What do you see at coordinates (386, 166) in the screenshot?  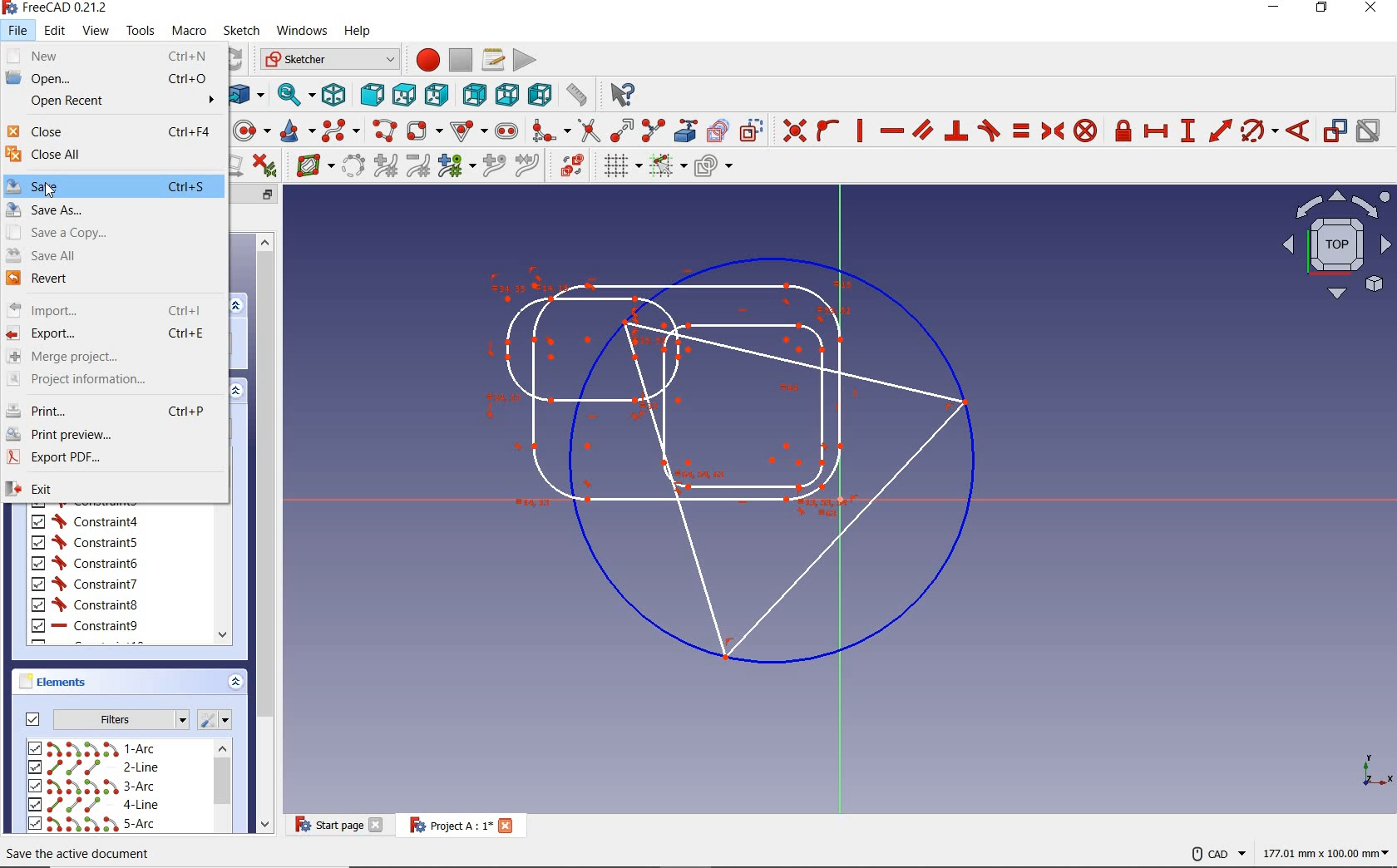 I see `increase B-spline decrease` at bounding box center [386, 166].